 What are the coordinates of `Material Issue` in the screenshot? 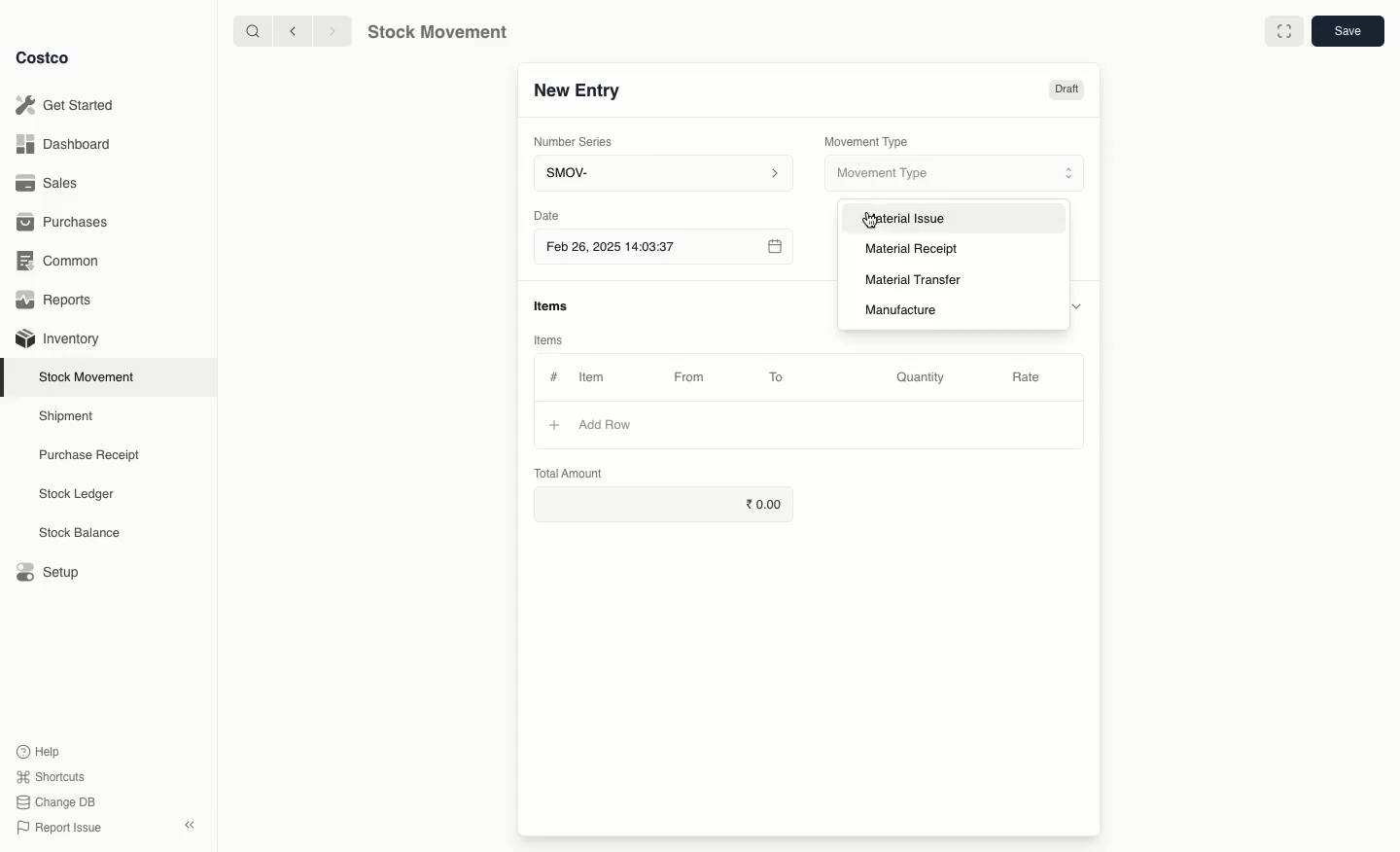 It's located at (906, 219).